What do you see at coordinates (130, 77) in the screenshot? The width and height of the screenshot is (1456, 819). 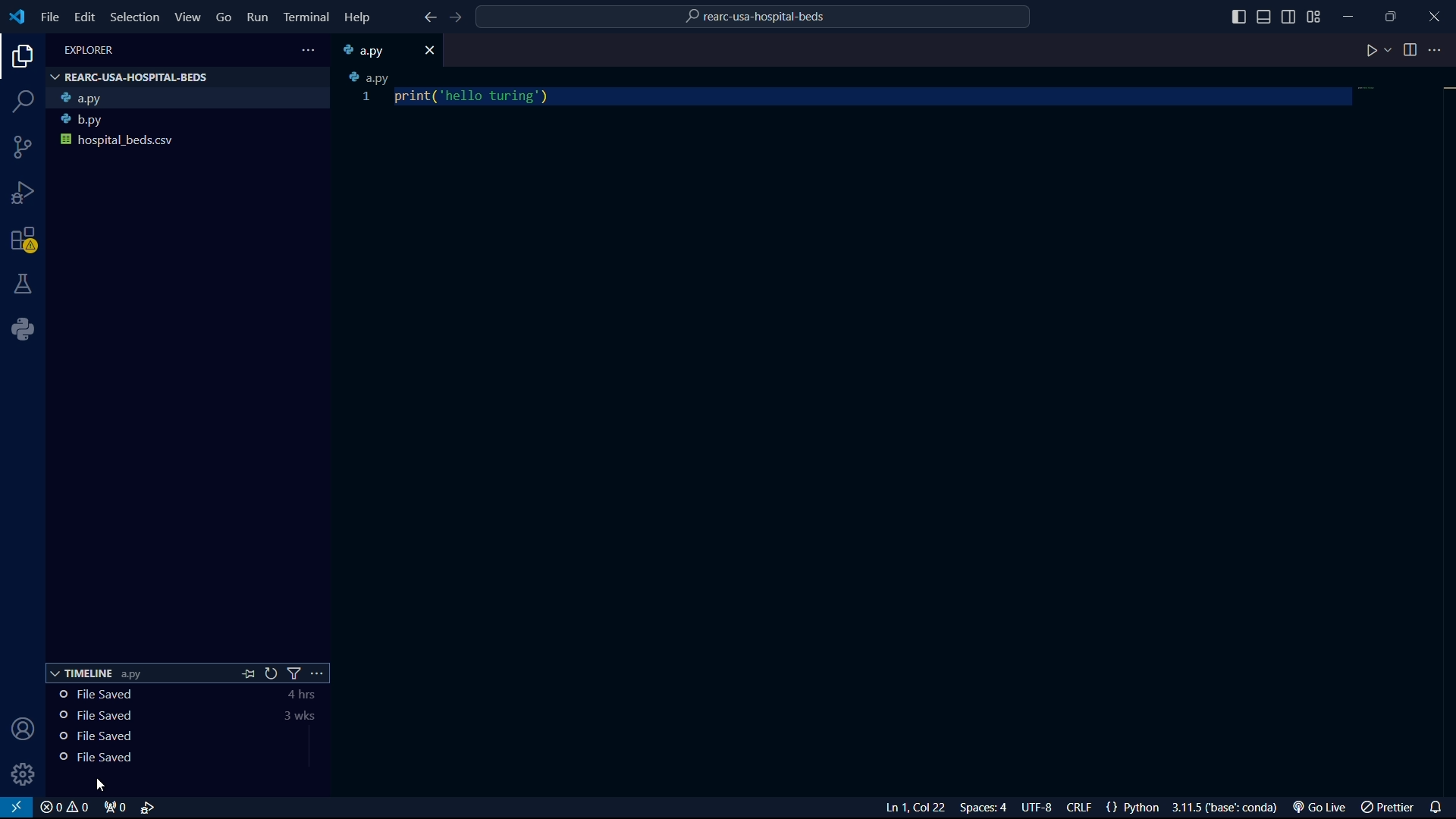 I see `folder name` at bounding box center [130, 77].